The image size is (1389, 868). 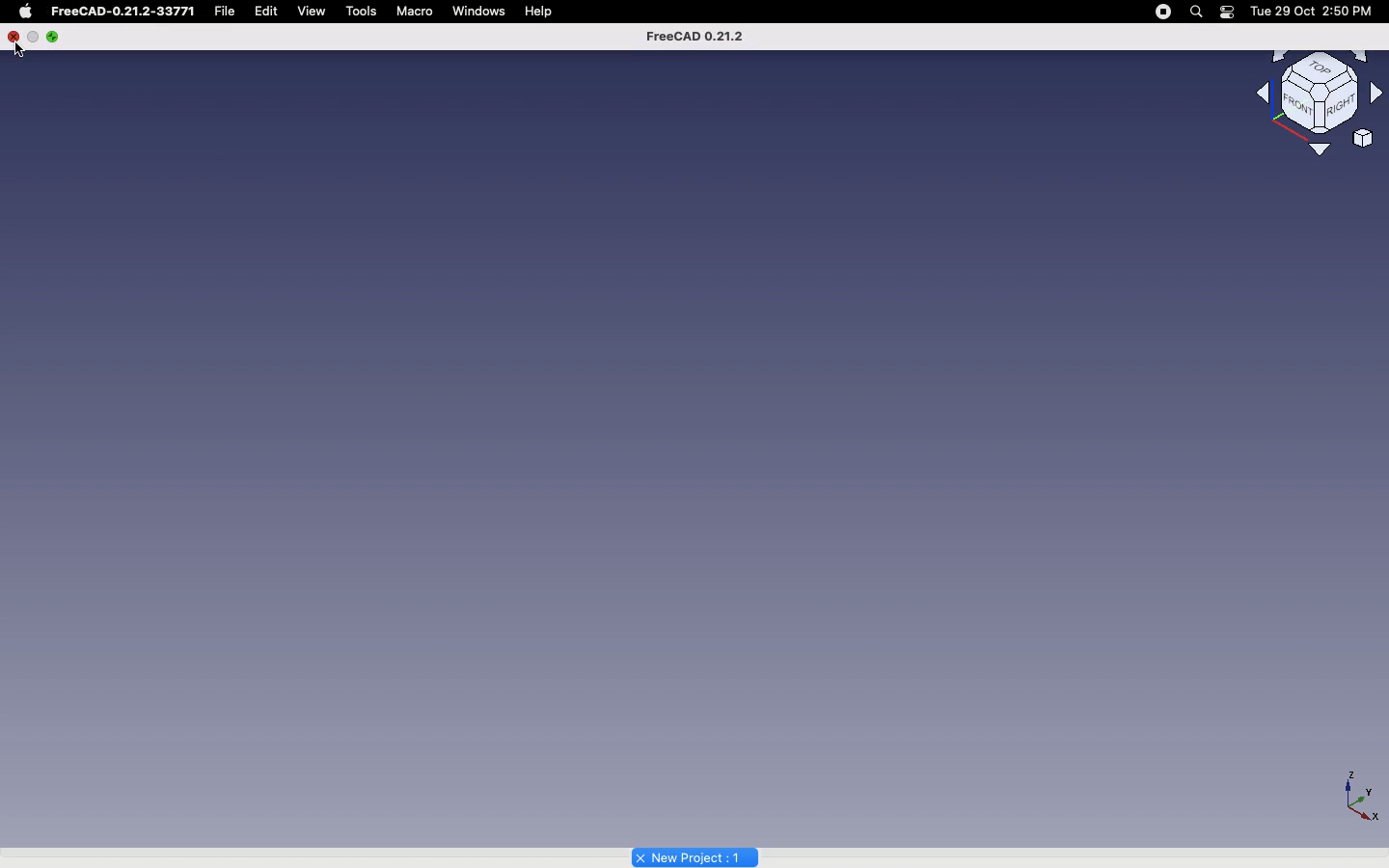 What do you see at coordinates (230, 12) in the screenshot?
I see `File` at bounding box center [230, 12].